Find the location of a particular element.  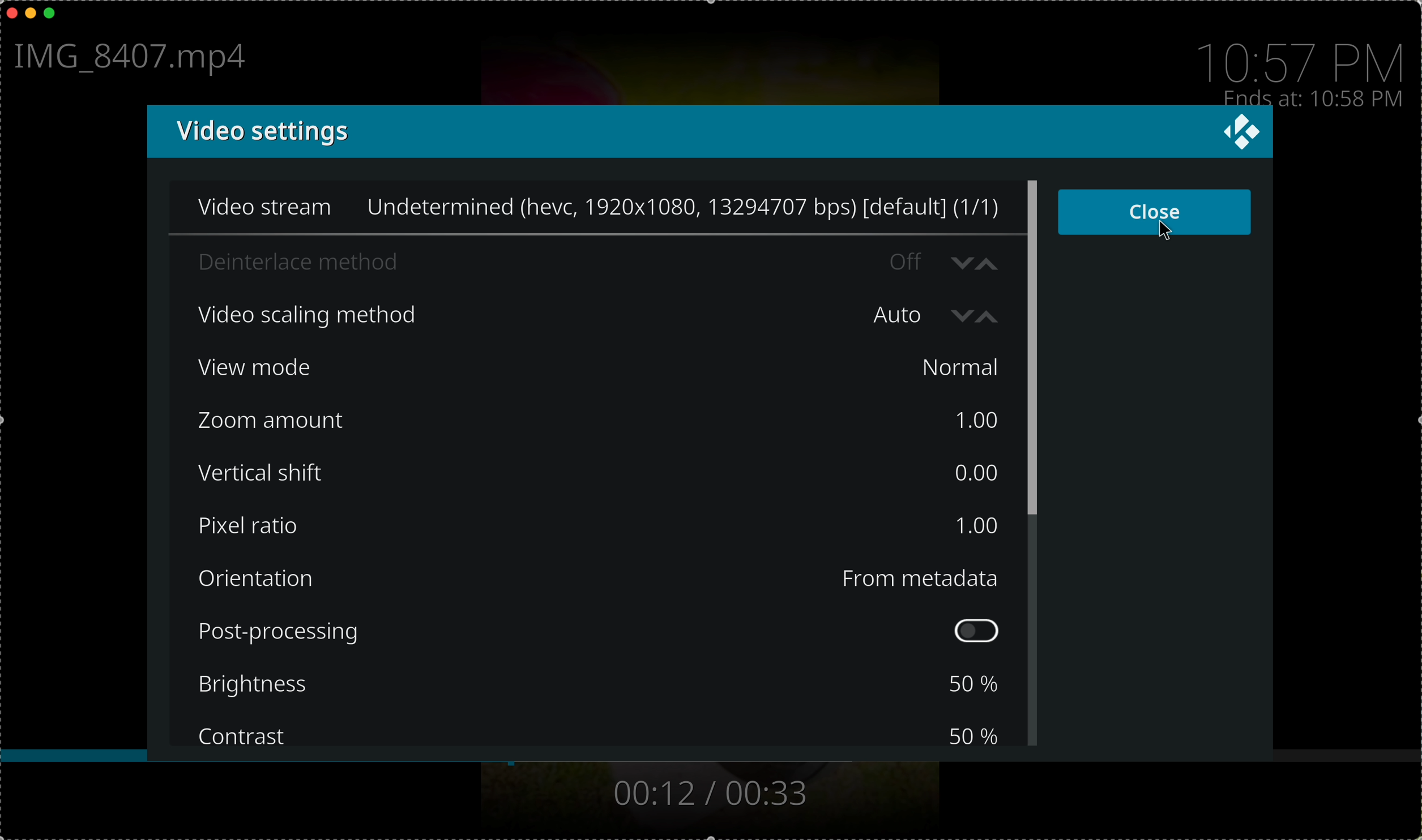

IMG_8407.mp4 is located at coordinates (136, 59).